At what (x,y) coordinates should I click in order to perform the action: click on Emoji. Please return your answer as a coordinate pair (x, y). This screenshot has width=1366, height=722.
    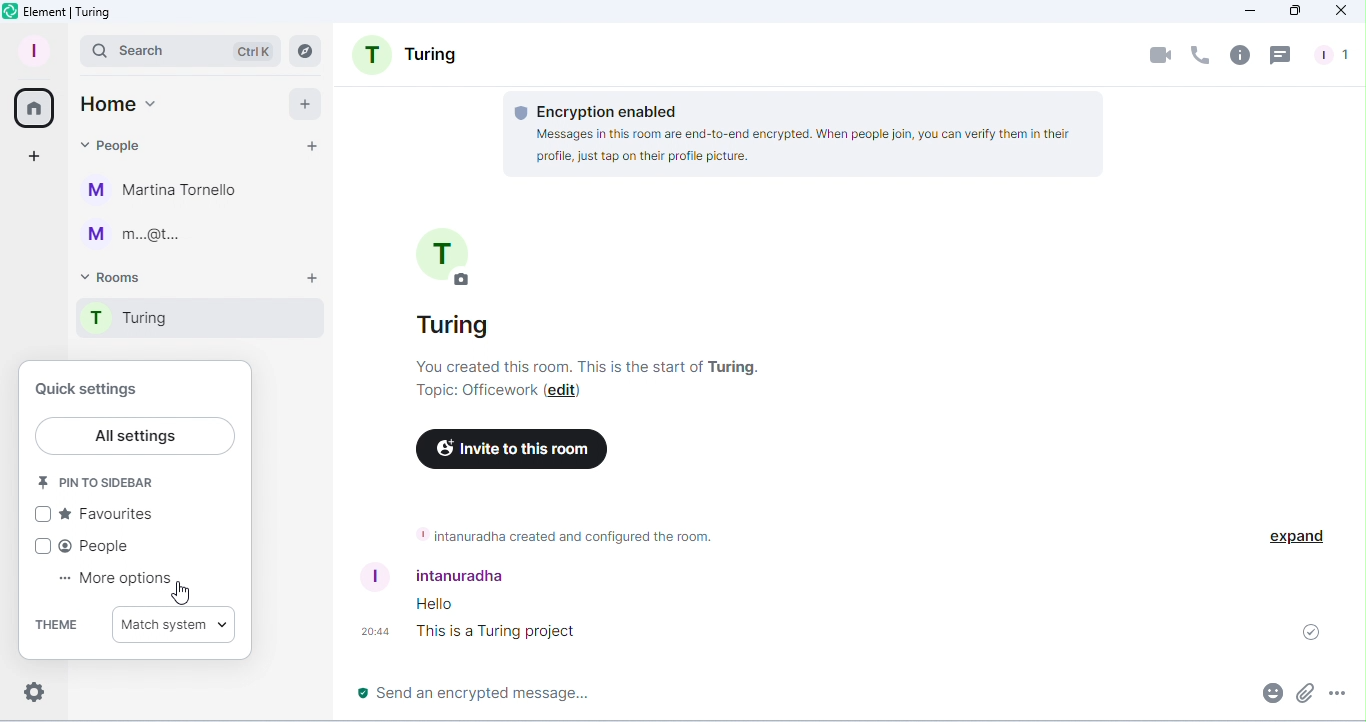
    Looking at the image, I should click on (1270, 691).